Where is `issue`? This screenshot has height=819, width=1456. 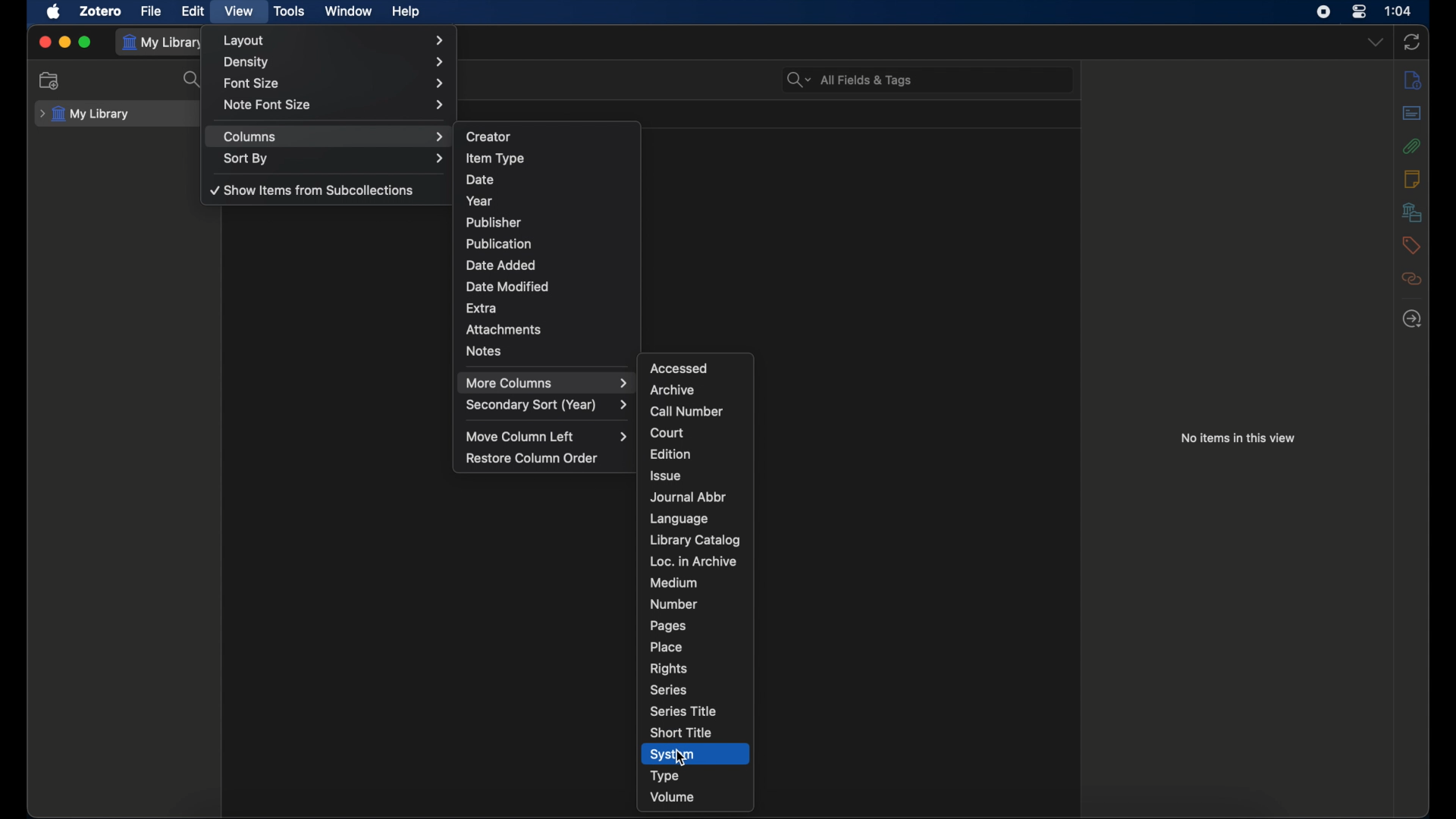
issue is located at coordinates (666, 476).